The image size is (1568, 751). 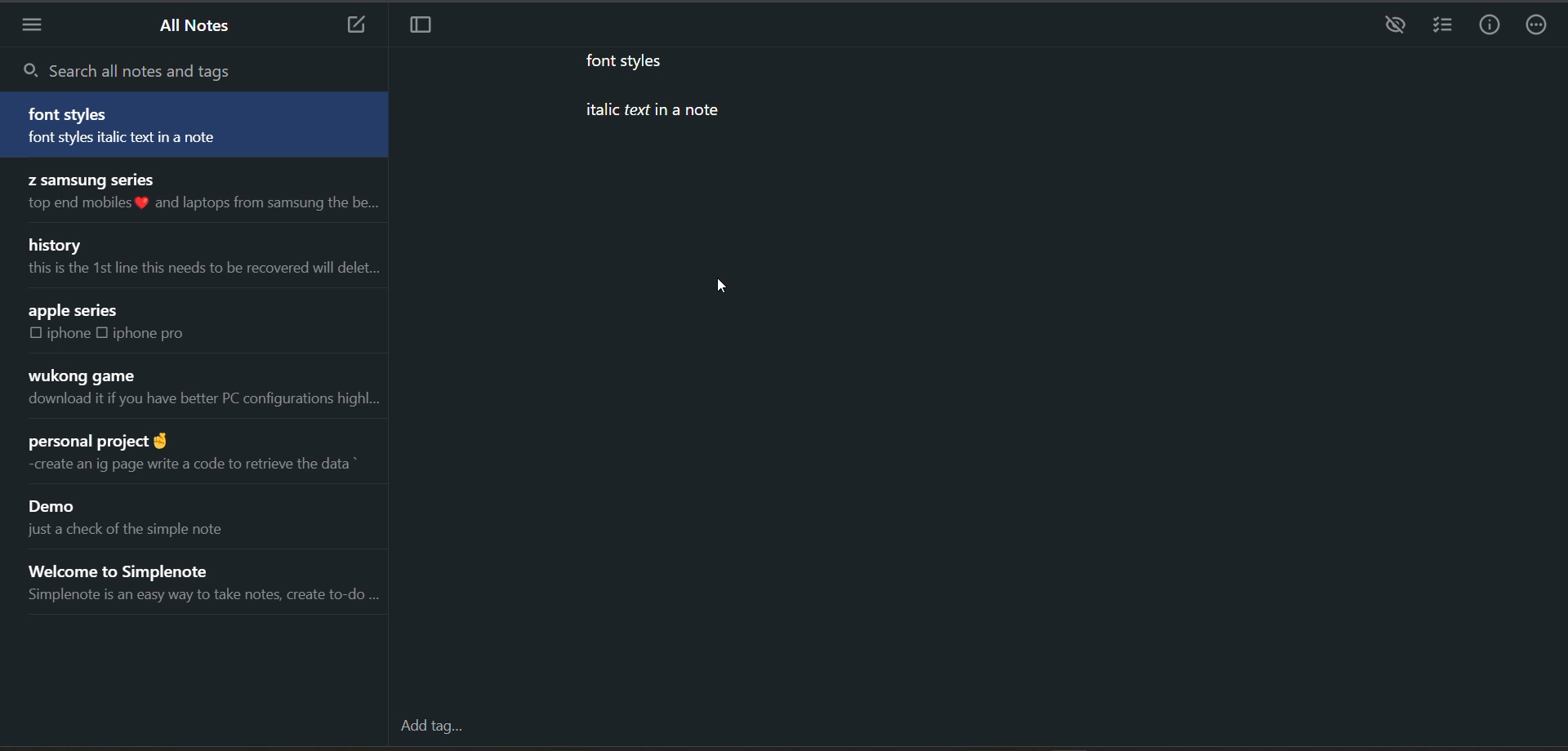 I want to click on toggle focus mode, so click(x=431, y=28).